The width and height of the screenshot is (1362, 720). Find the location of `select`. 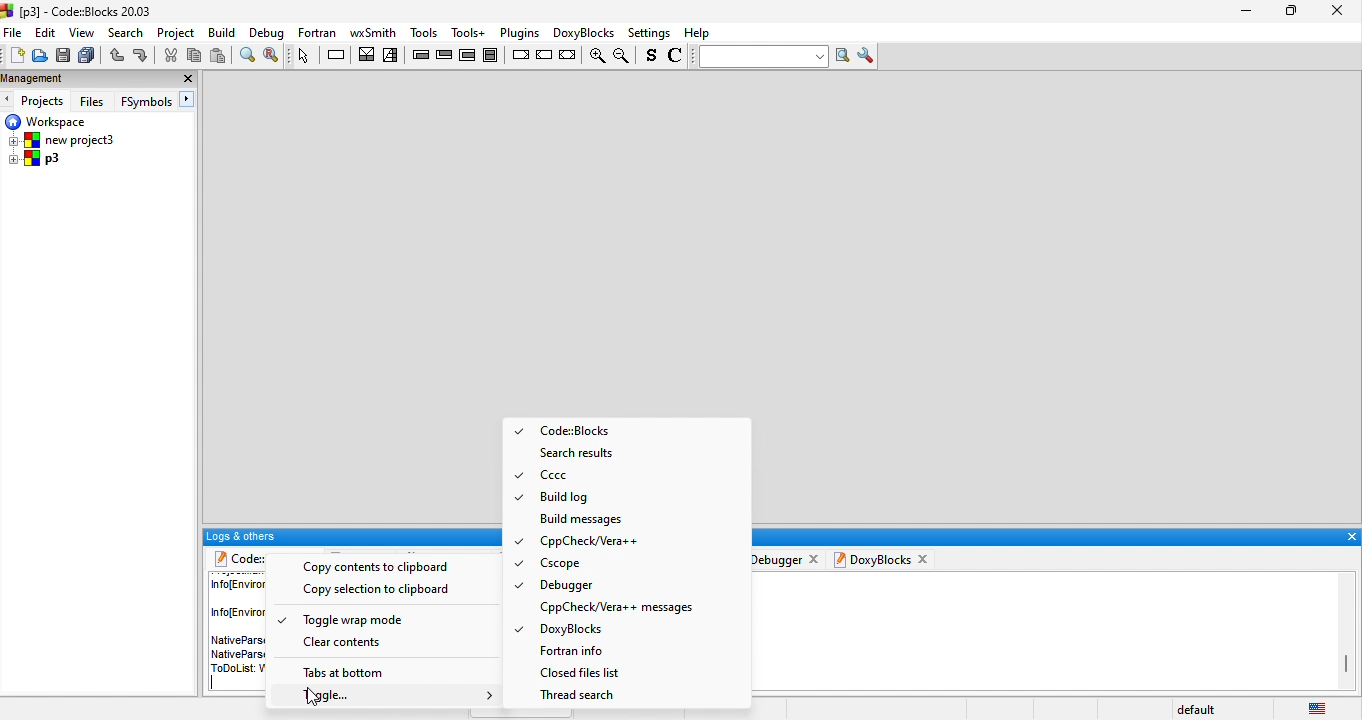

select is located at coordinates (305, 55).